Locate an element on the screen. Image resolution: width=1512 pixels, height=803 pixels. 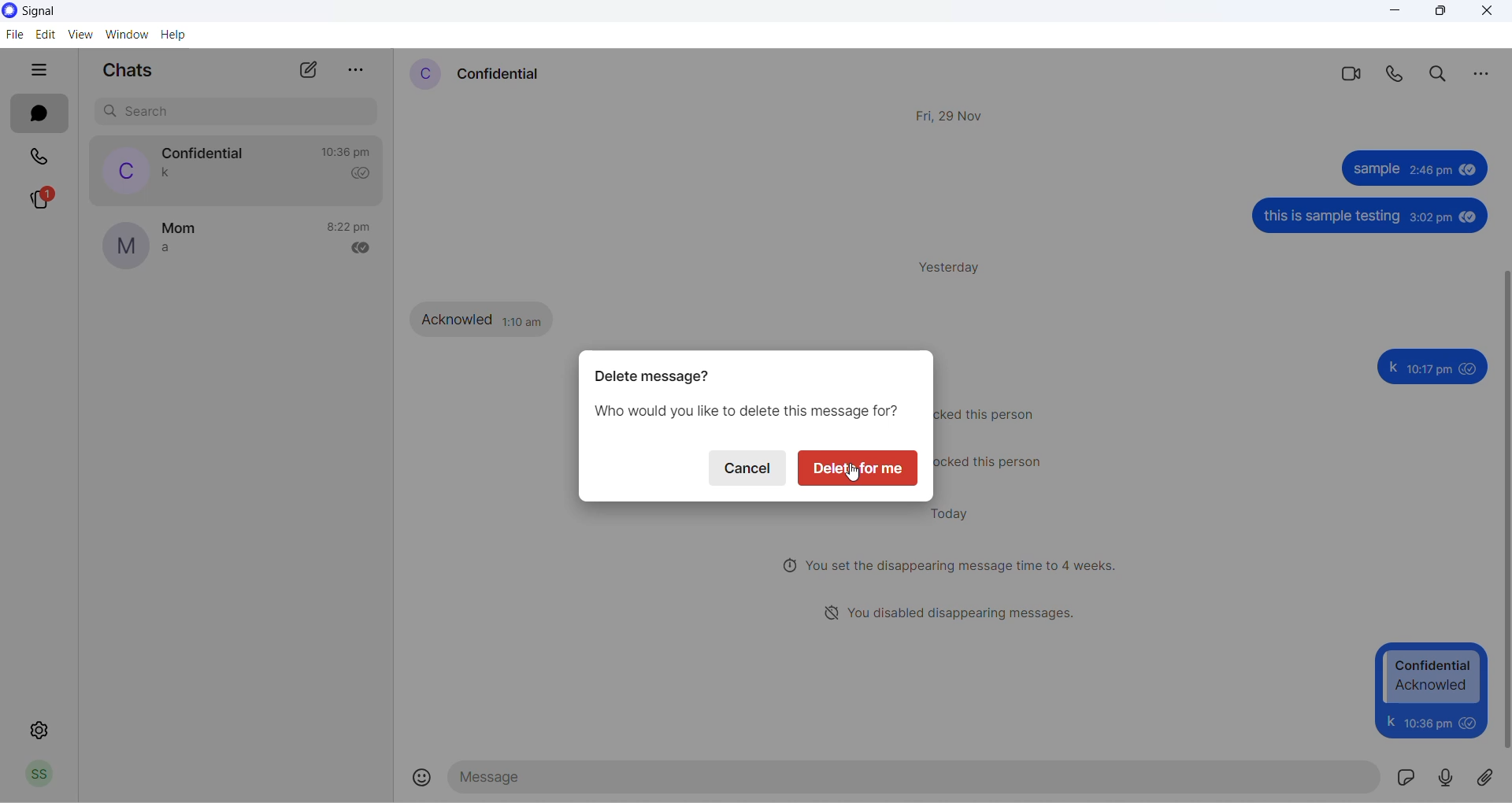
Voicemail is located at coordinates (1447, 776).